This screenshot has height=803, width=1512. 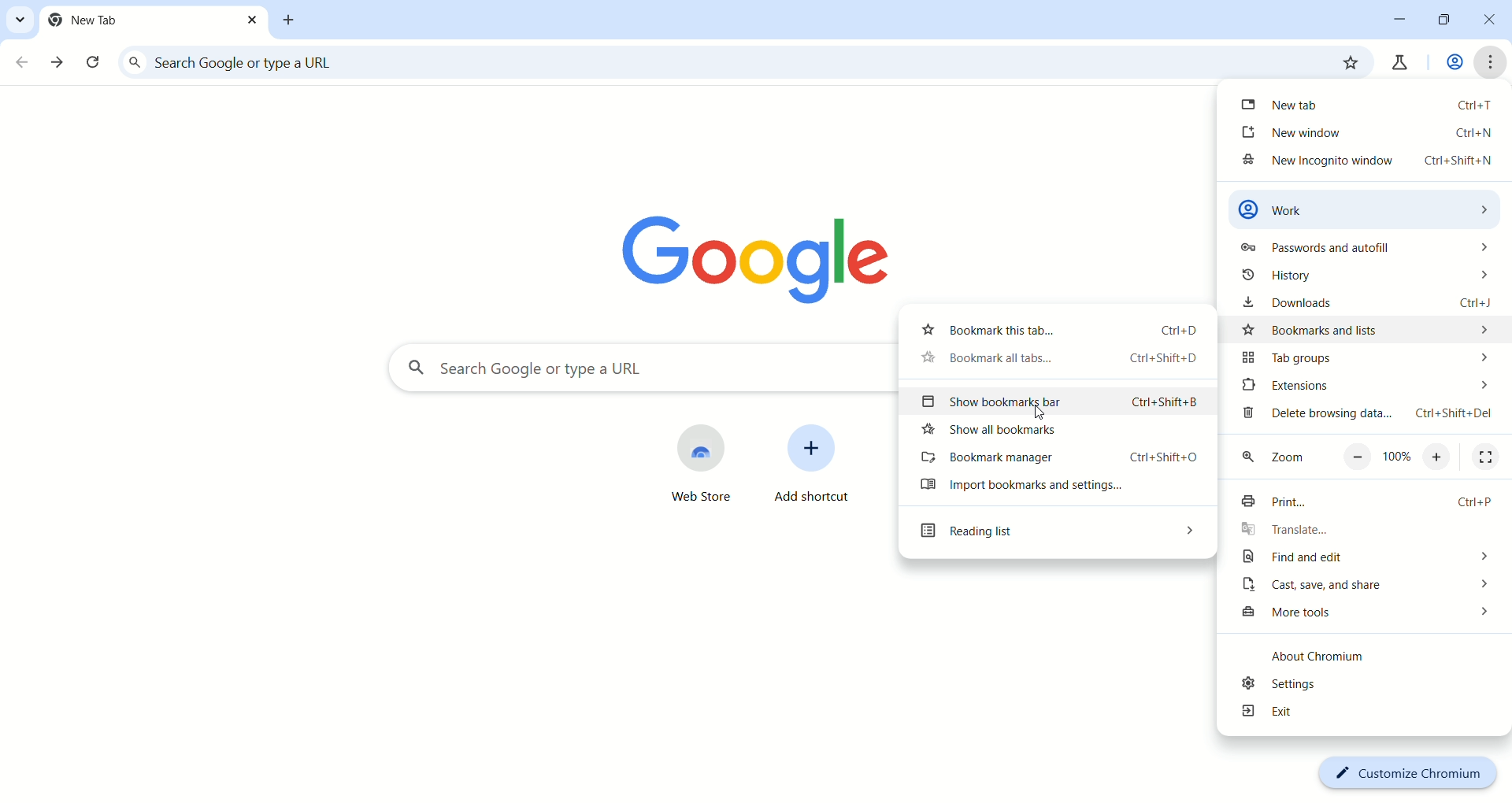 I want to click on minimize, so click(x=1400, y=18).